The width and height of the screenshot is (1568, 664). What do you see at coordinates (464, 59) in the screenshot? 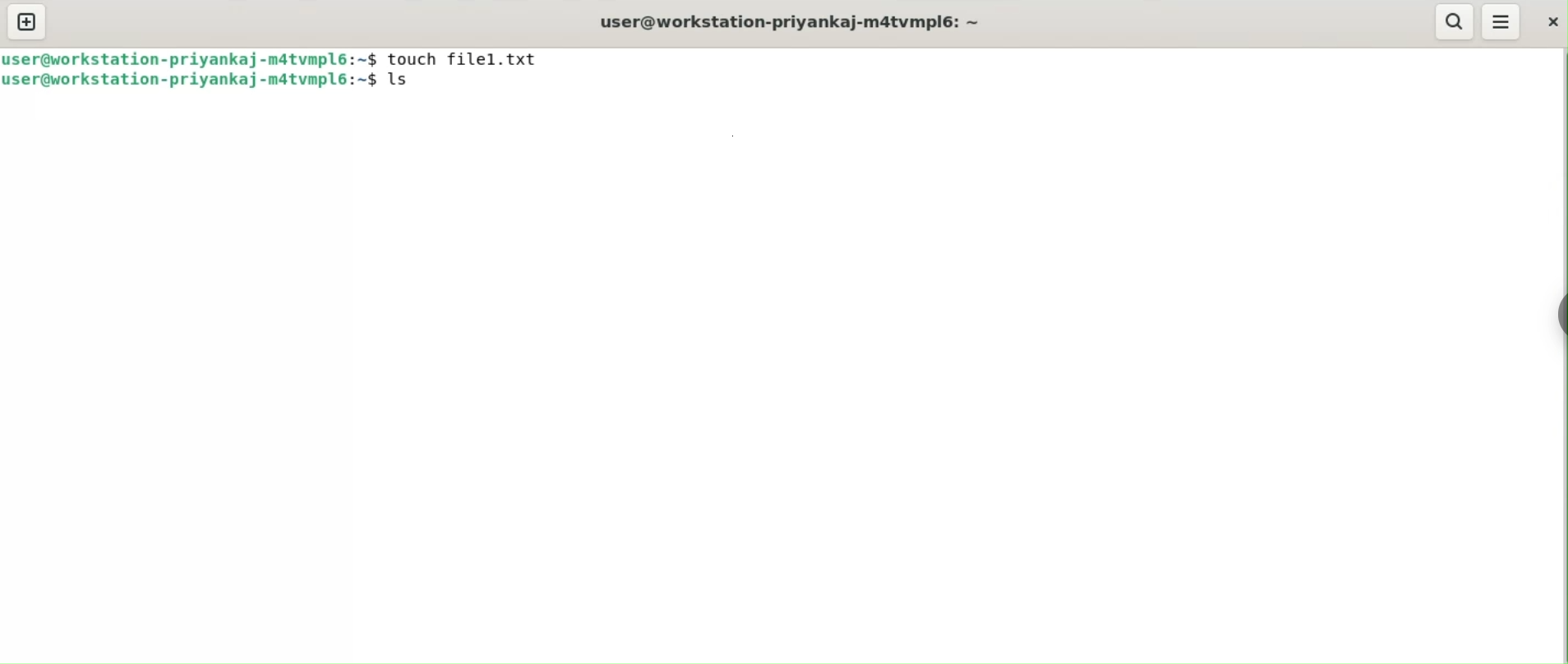
I see `touch file1.txt` at bounding box center [464, 59].